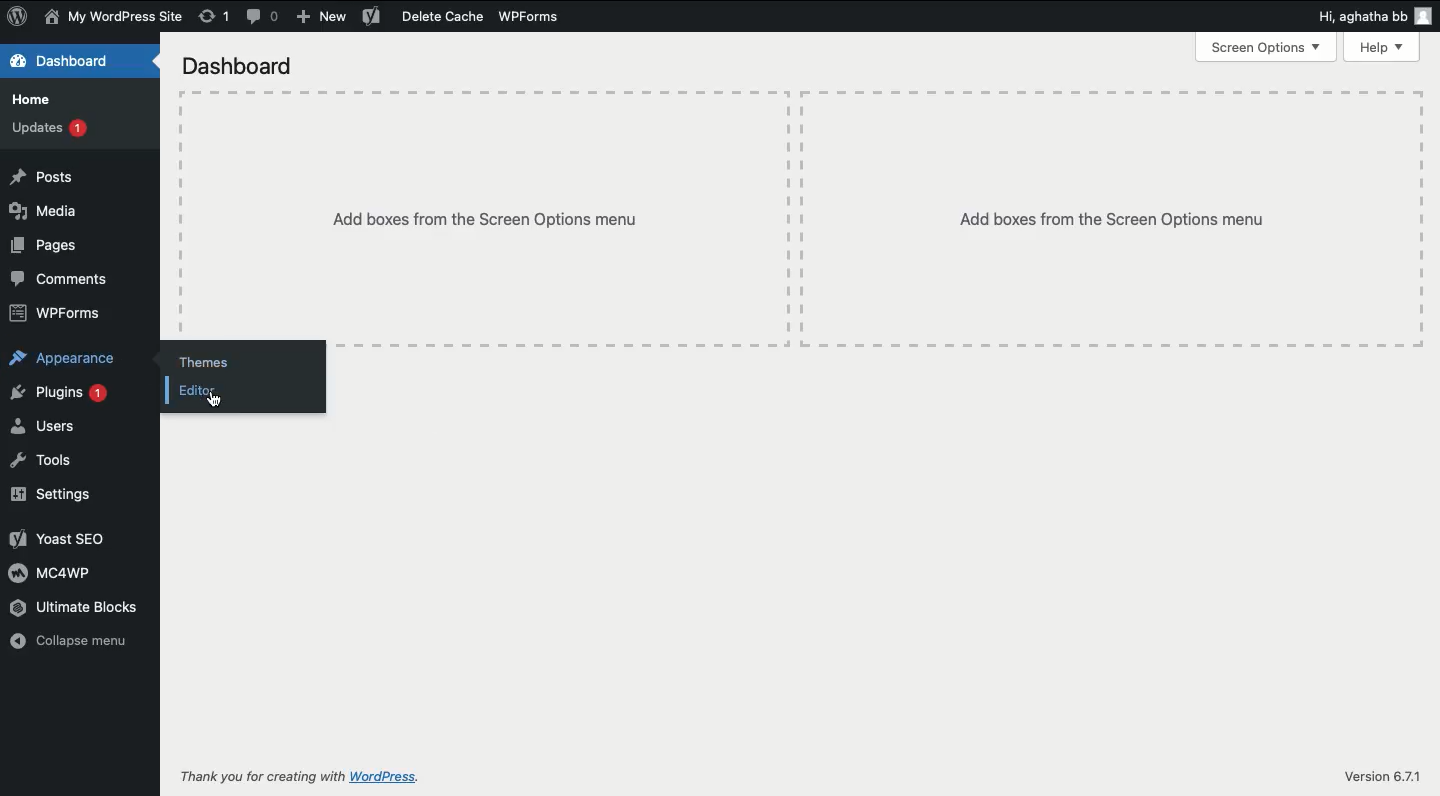 The image size is (1440, 796). What do you see at coordinates (66, 359) in the screenshot?
I see ` Appearance` at bounding box center [66, 359].